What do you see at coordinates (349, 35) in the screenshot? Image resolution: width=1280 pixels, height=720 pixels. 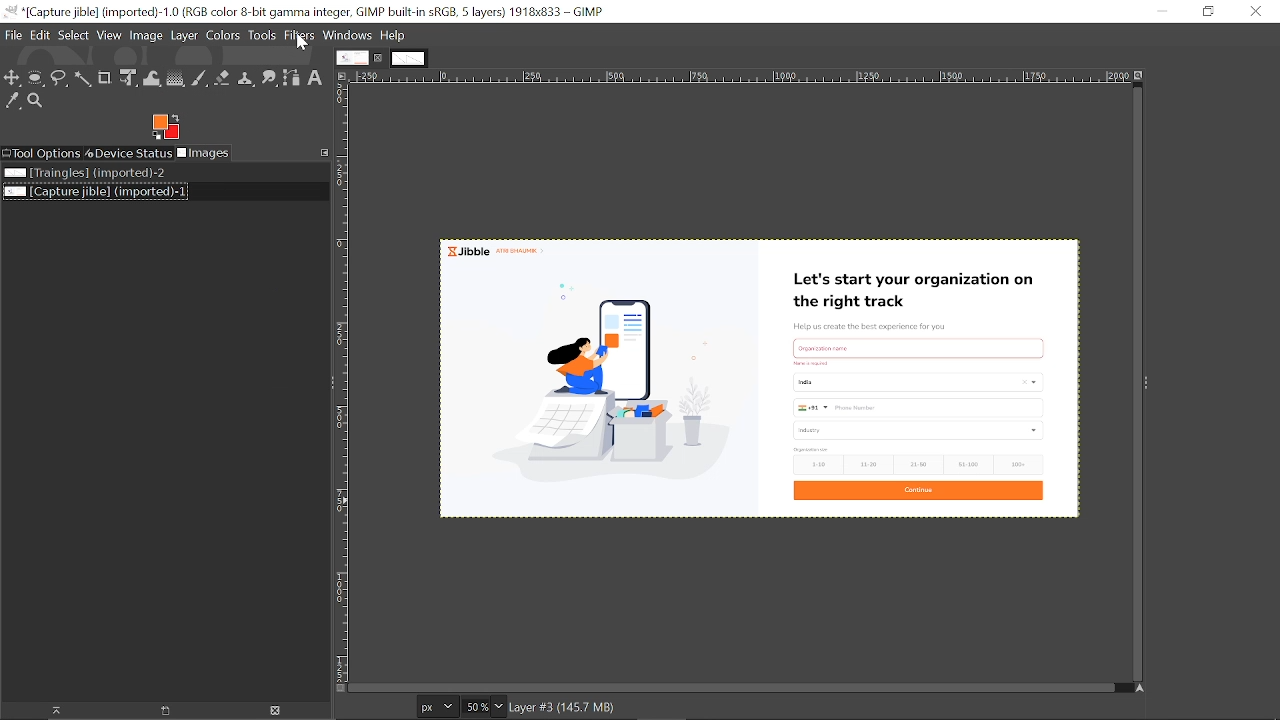 I see `Windows` at bounding box center [349, 35].